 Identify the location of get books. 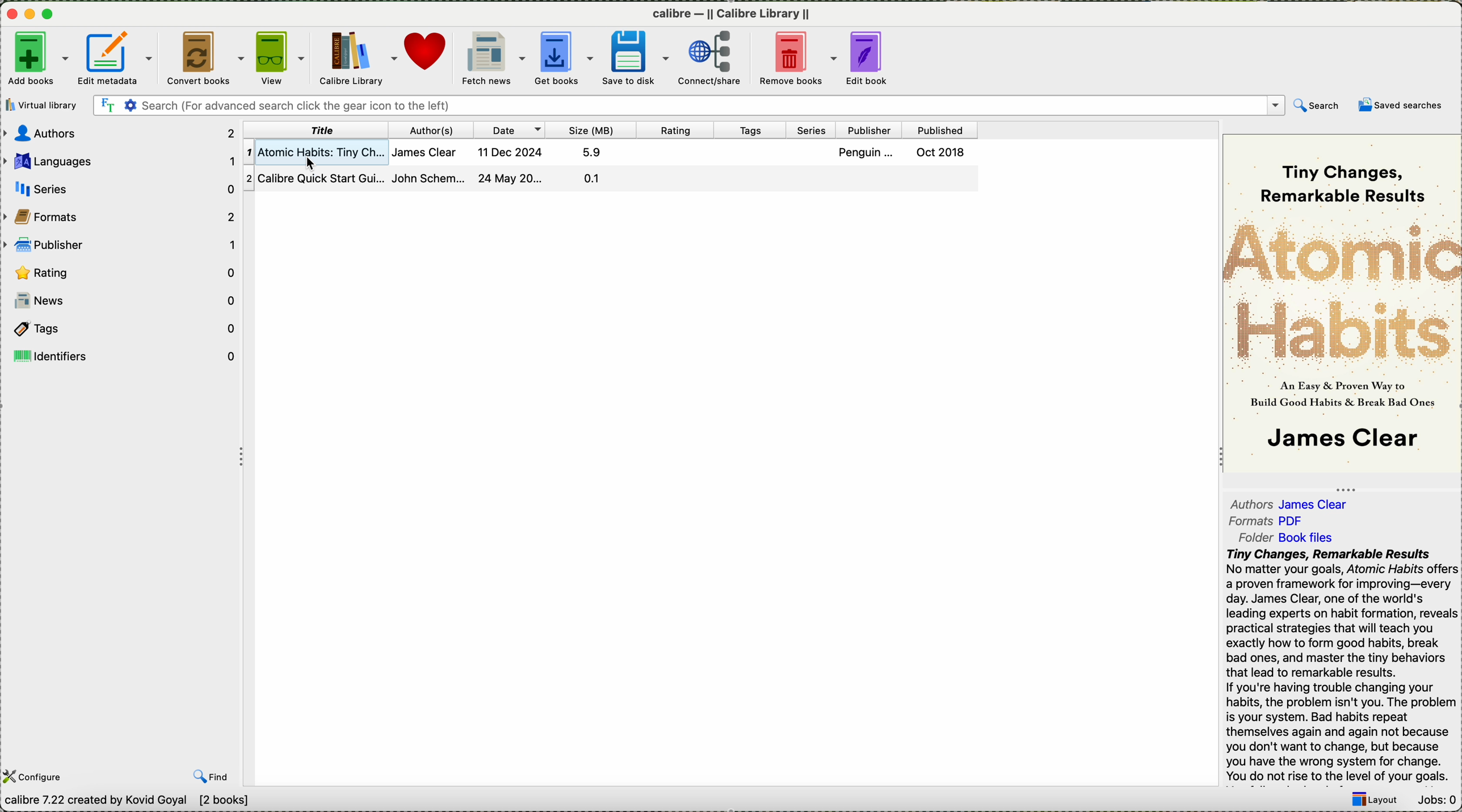
(566, 59).